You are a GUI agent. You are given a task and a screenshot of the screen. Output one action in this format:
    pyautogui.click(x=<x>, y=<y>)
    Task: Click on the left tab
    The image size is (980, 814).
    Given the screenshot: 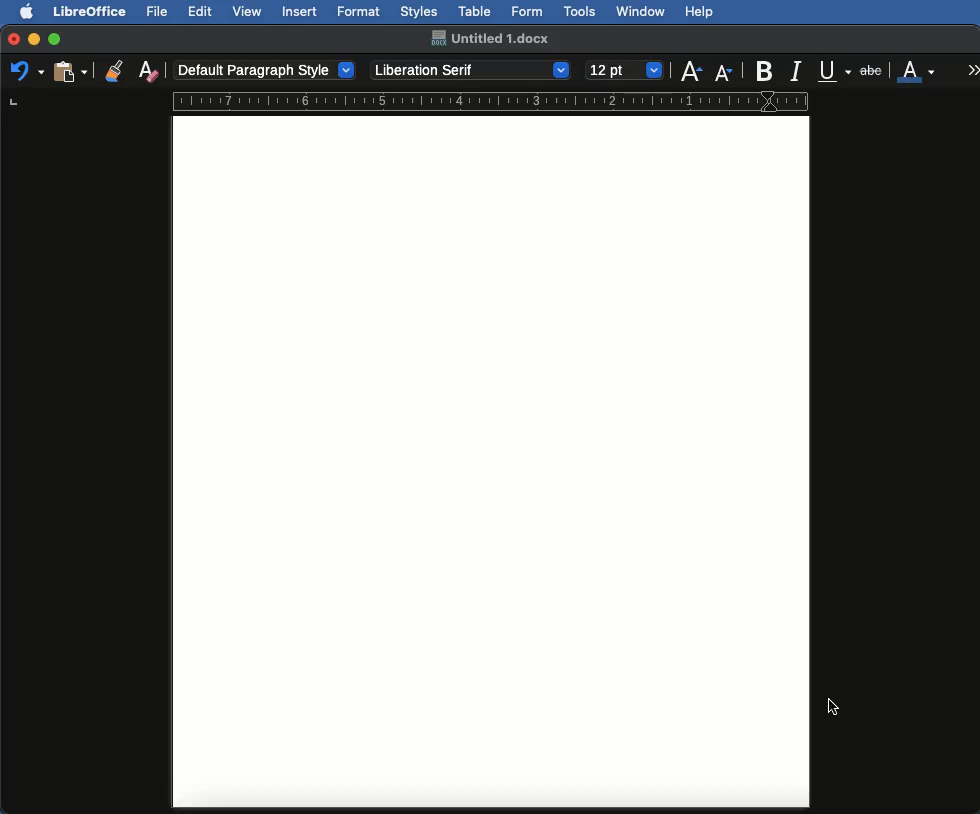 What is the action you would take?
    pyautogui.click(x=11, y=102)
    